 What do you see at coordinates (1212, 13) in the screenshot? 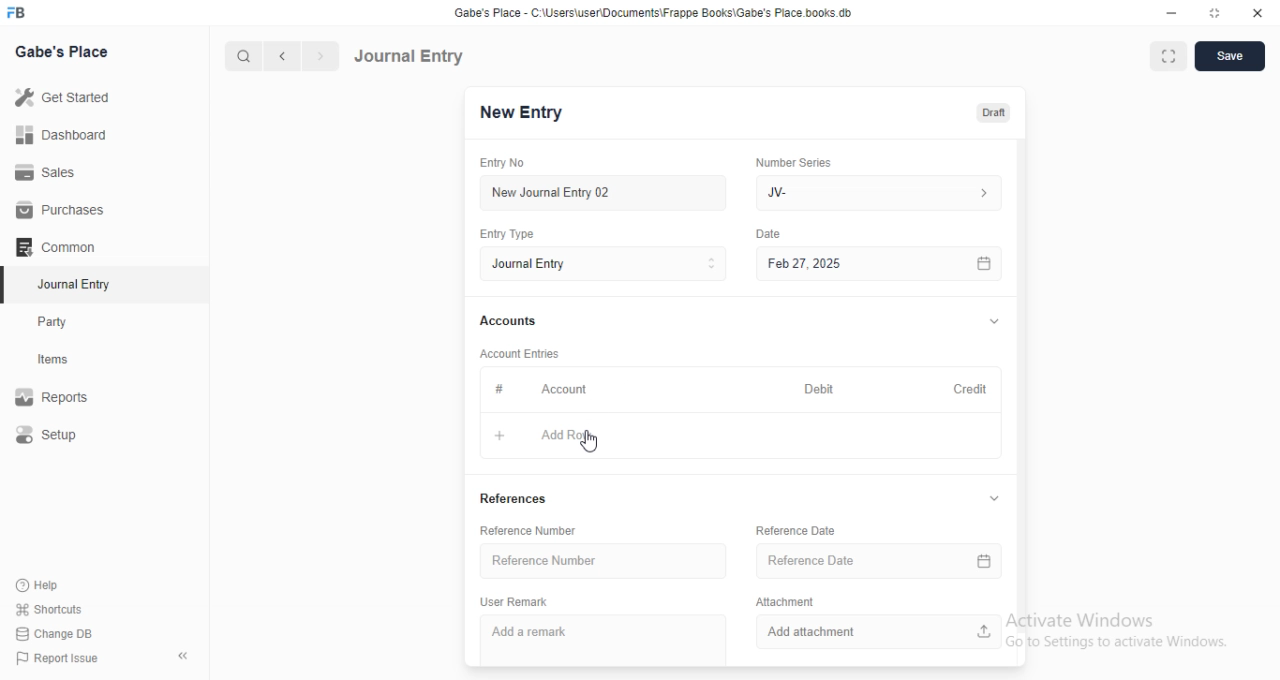
I see `Full screen` at bounding box center [1212, 13].